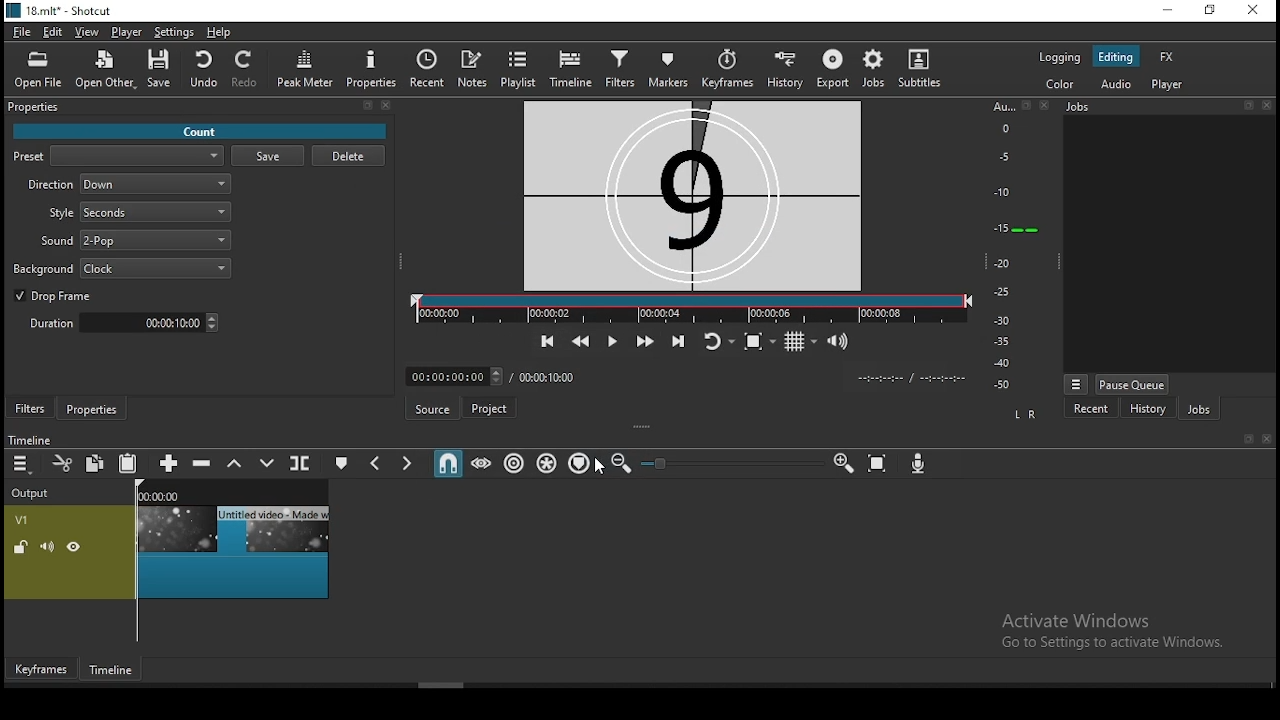 The height and width of the screenshot is (720, 1280). What do you see at coordinates (32, 407) in the screenshot?
I see `filters` at bounding box center [32, 407].